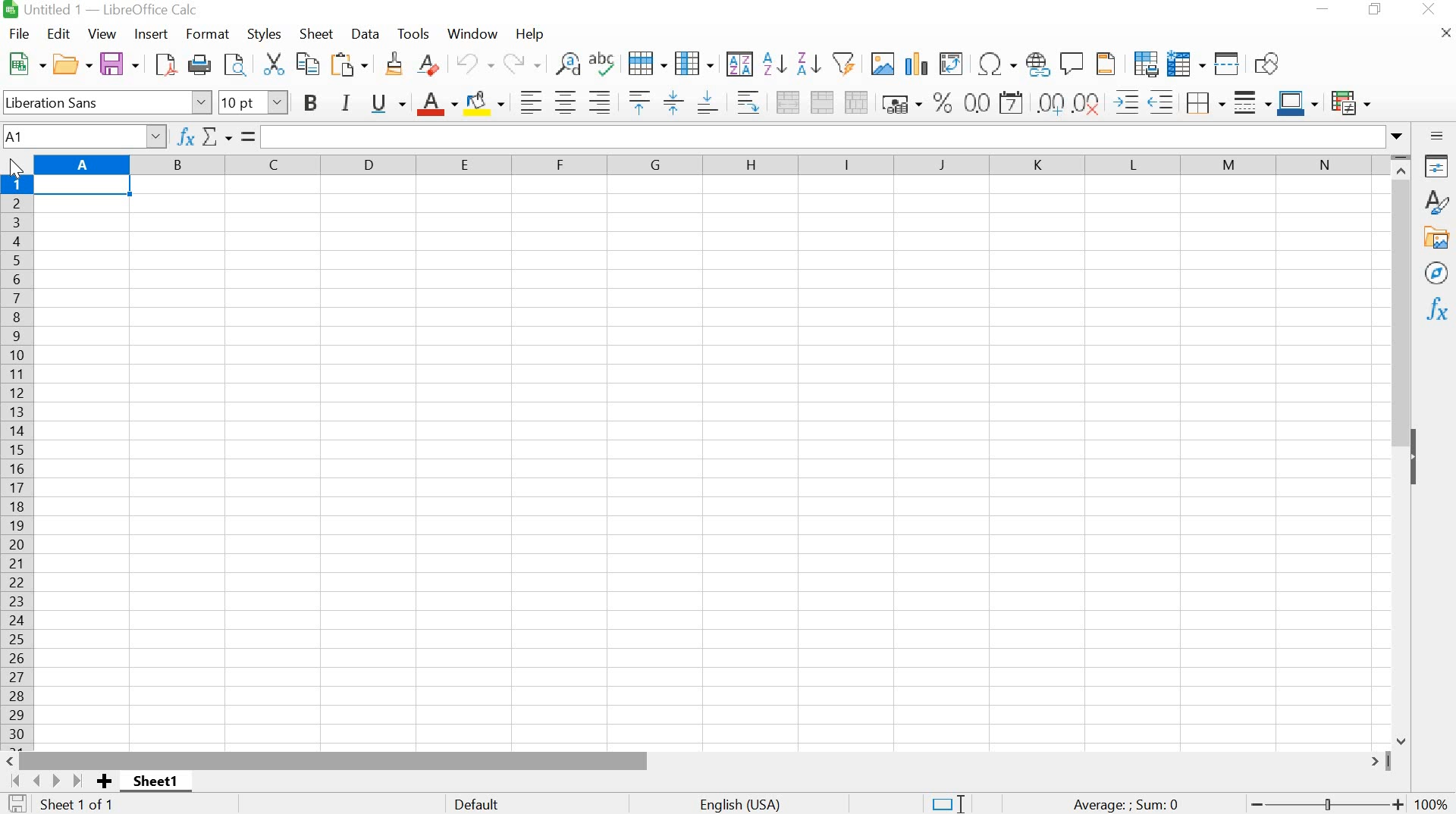 Image resolution: width=1456 pixels, height=814 pixels. What do you see at coordinates (1438, 136) in the screenshot?
I see `Sidebar settings` at bounding box center [1438, 136].